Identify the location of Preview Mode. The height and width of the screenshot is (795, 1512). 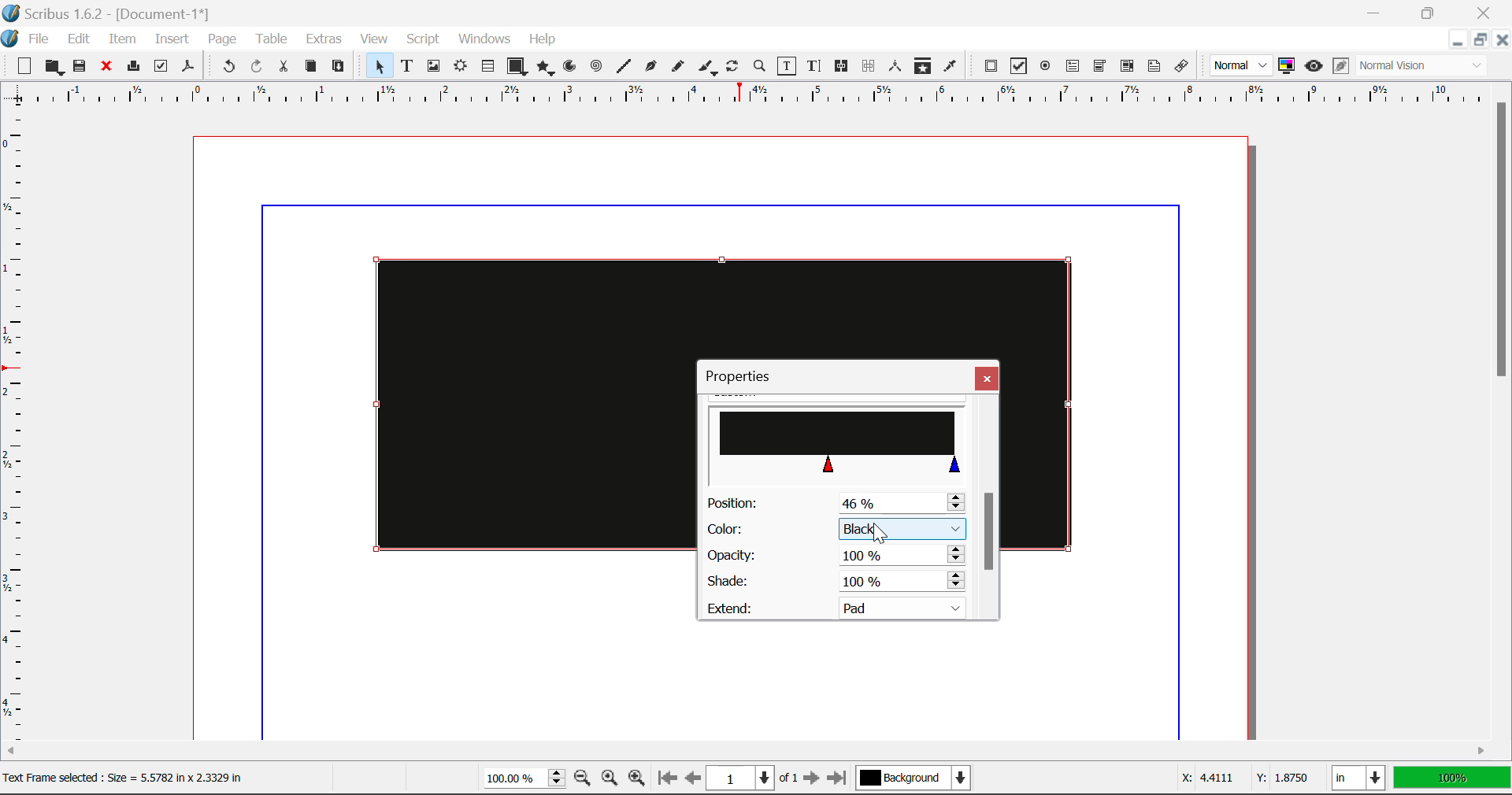
(1314, 66).